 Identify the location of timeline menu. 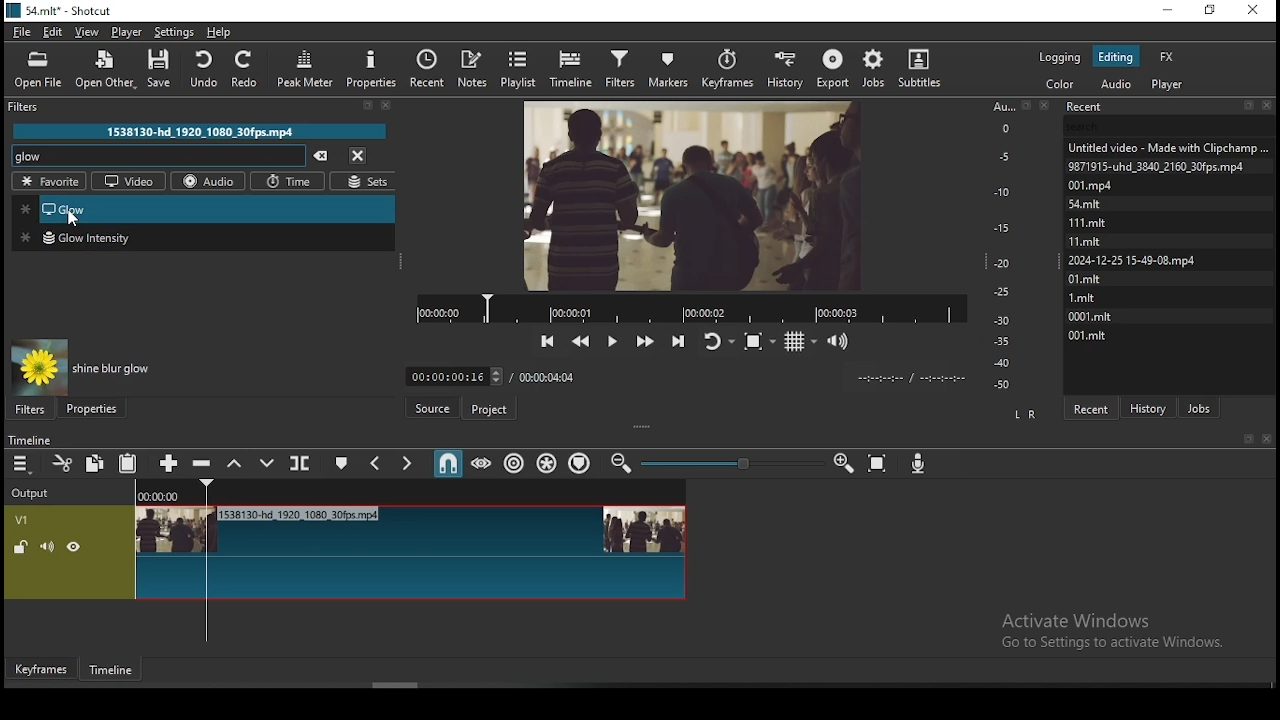
(23, 466).